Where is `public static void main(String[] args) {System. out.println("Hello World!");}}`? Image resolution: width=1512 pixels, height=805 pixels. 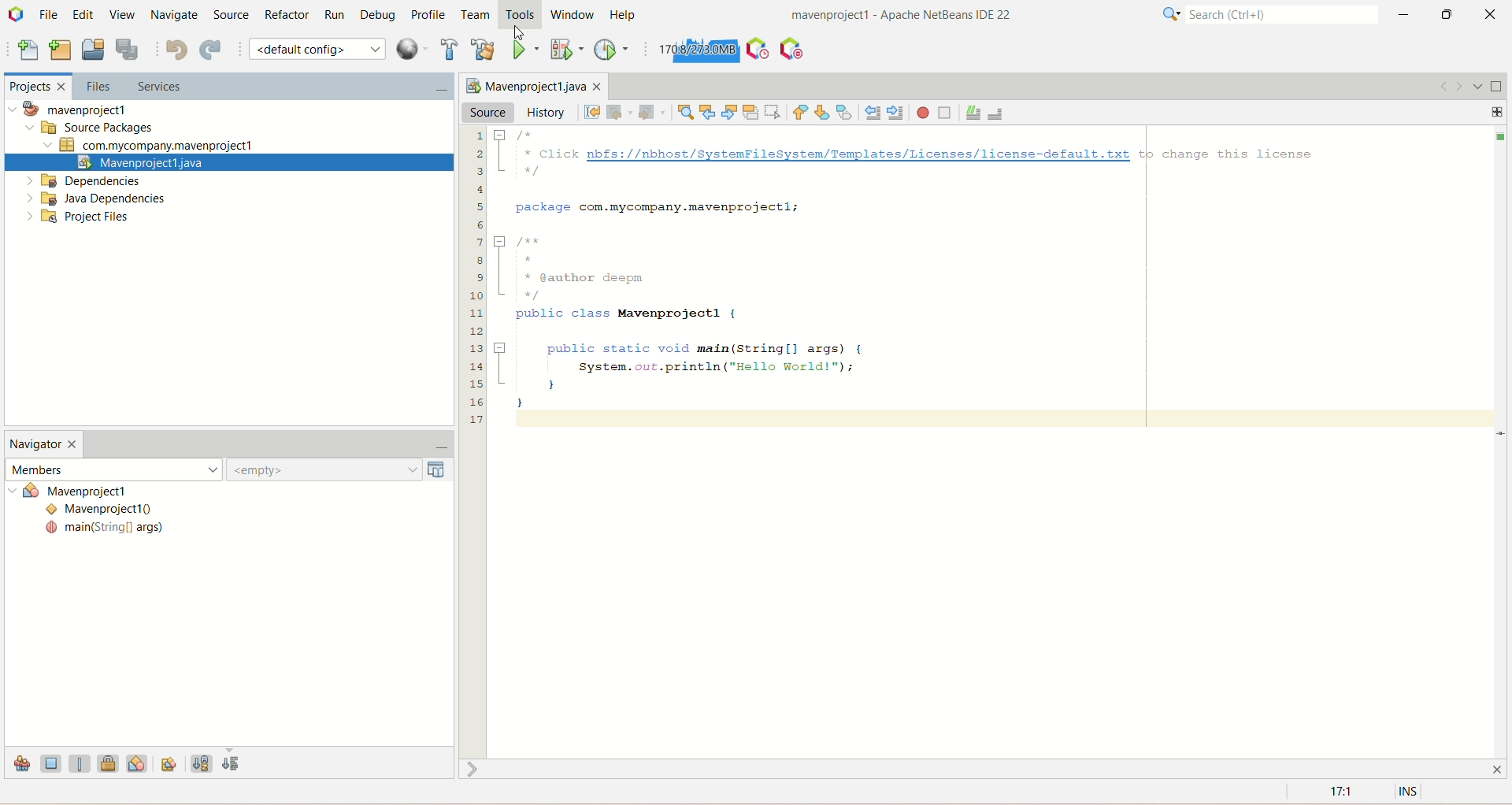
public static void main(String[] args) {System. out.println("Hello World!");}} is located at coordinates (684, 374).